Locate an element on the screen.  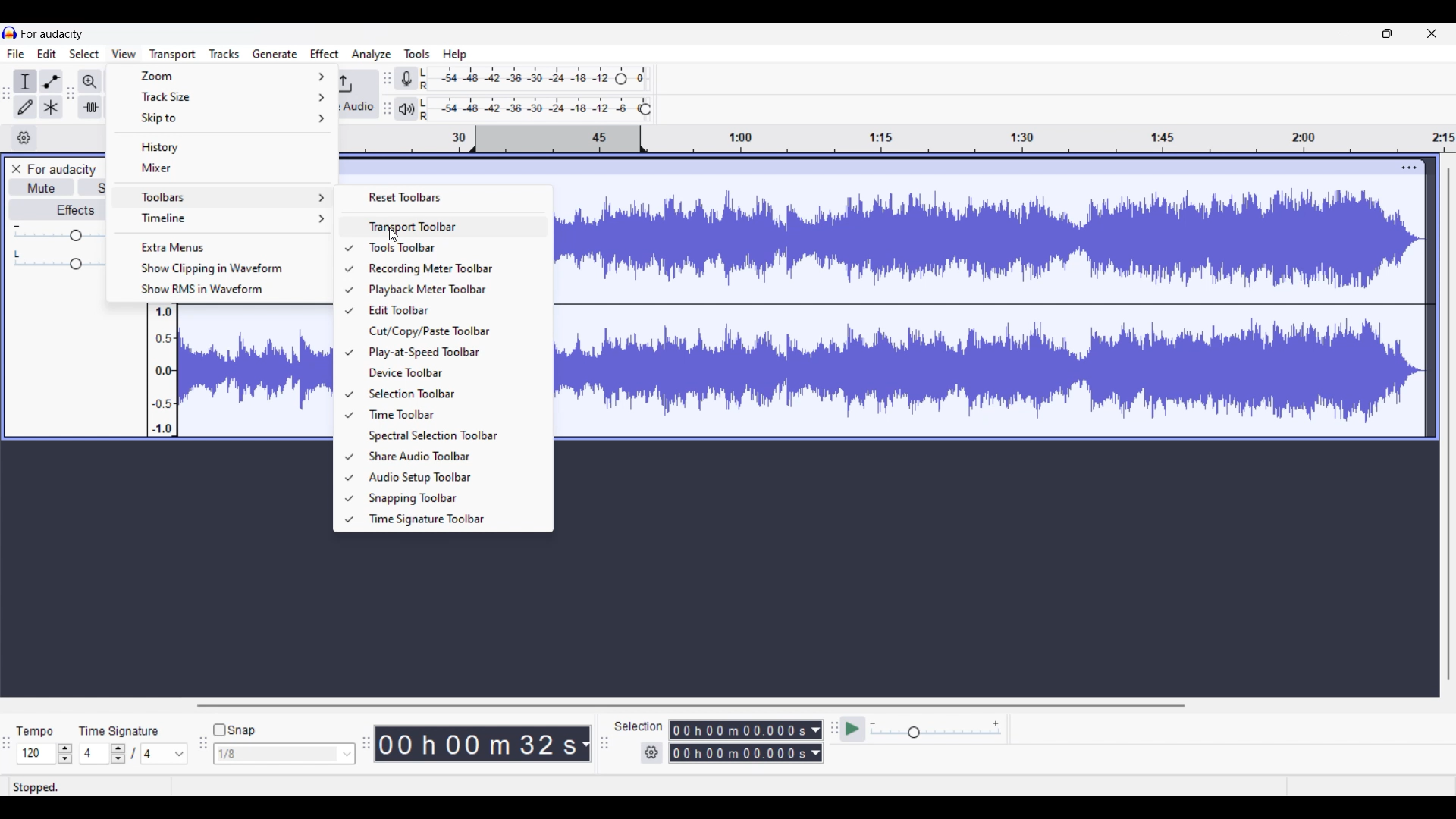
Selection tool is located at coordinates (26, 81).